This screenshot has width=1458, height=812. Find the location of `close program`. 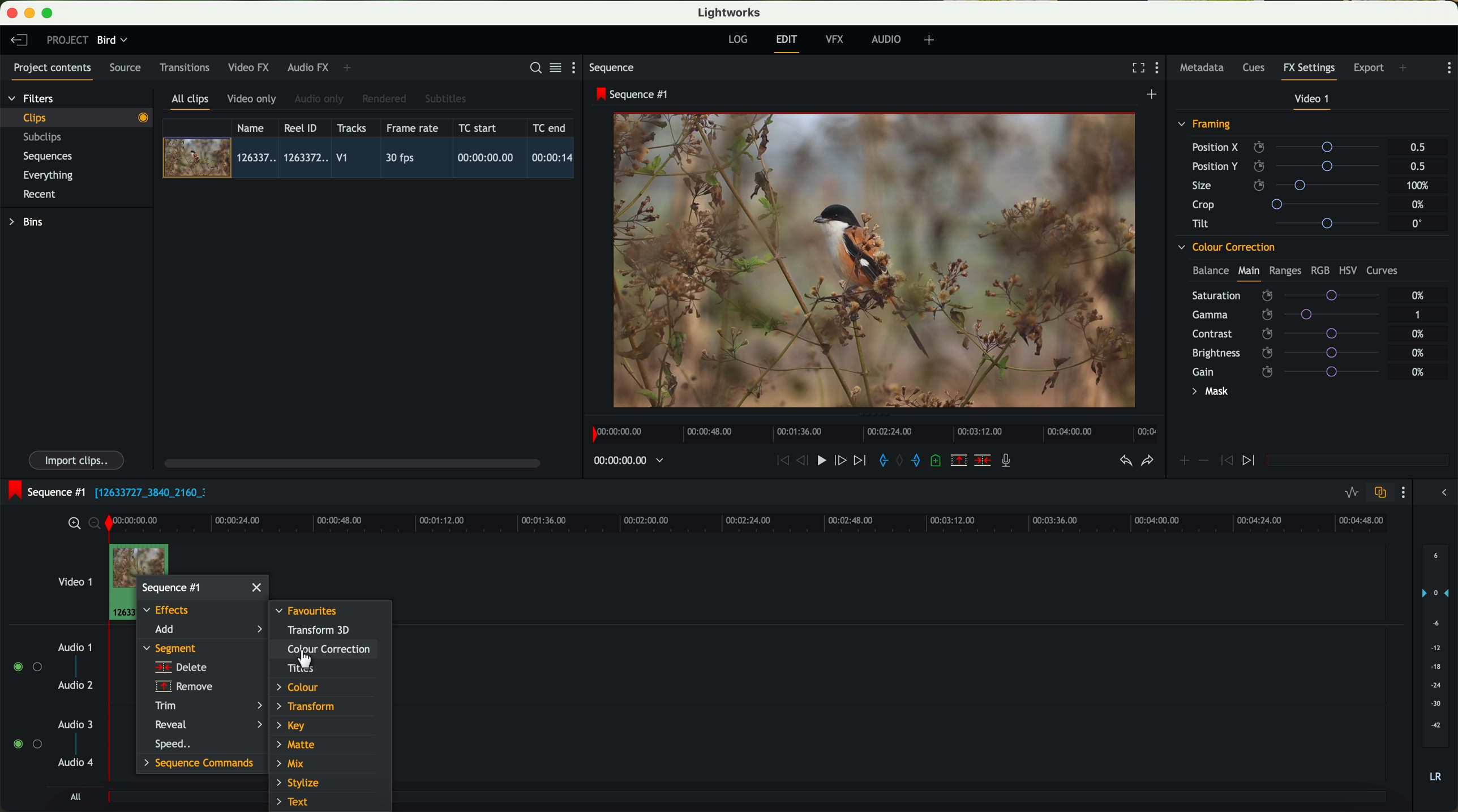

close program is located at coordinates (12, 13).